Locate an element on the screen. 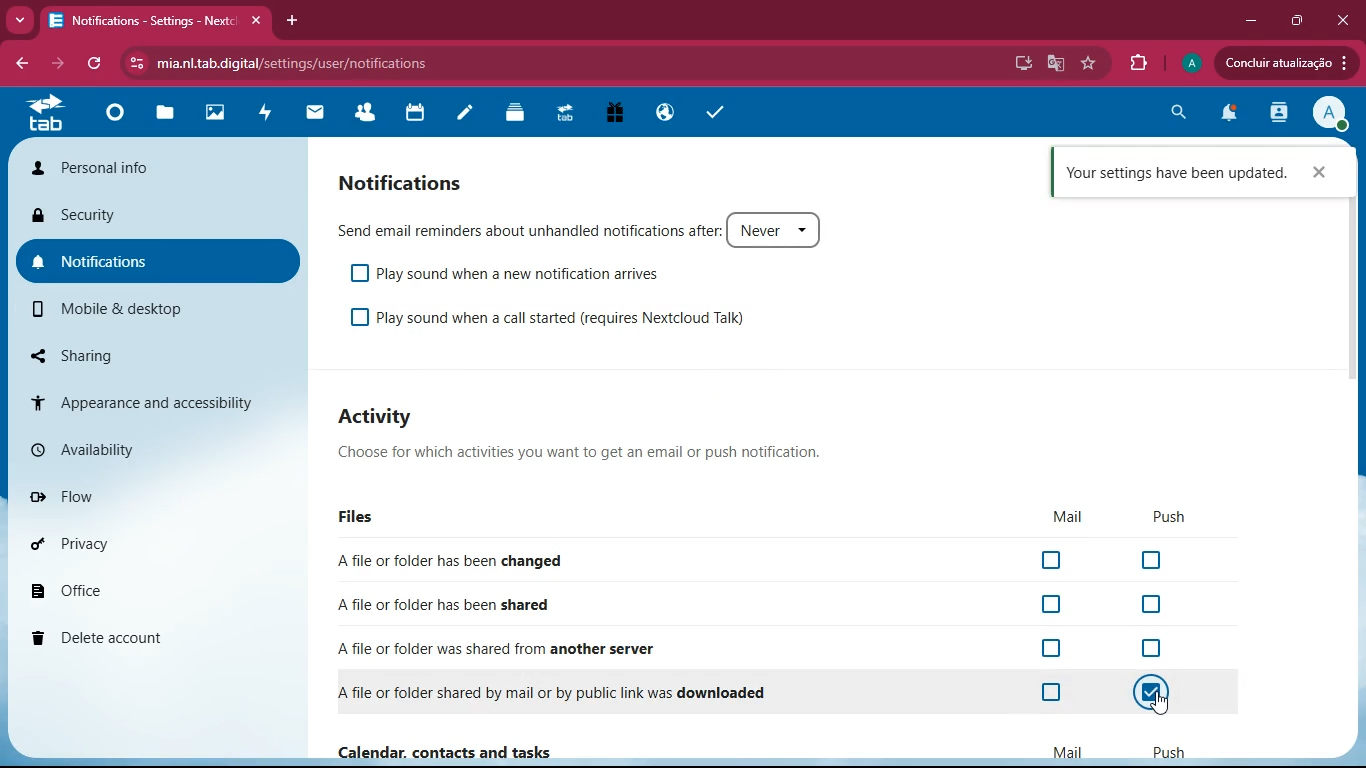  favourite is located at coordinates (1089, 65).